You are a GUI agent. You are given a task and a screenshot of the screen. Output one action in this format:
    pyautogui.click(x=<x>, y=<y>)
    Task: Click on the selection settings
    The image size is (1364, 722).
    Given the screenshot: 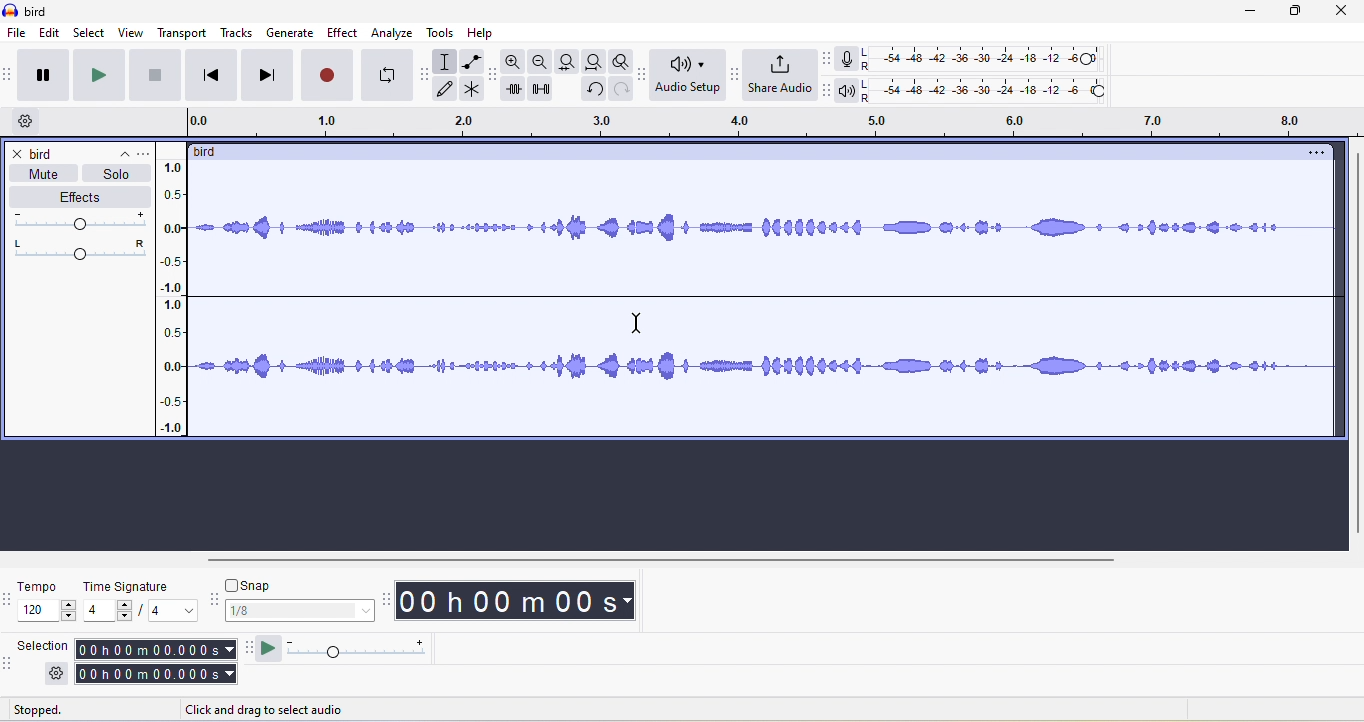 What is the action you would take?
    pyautogui.click(x=56, y=674)
    